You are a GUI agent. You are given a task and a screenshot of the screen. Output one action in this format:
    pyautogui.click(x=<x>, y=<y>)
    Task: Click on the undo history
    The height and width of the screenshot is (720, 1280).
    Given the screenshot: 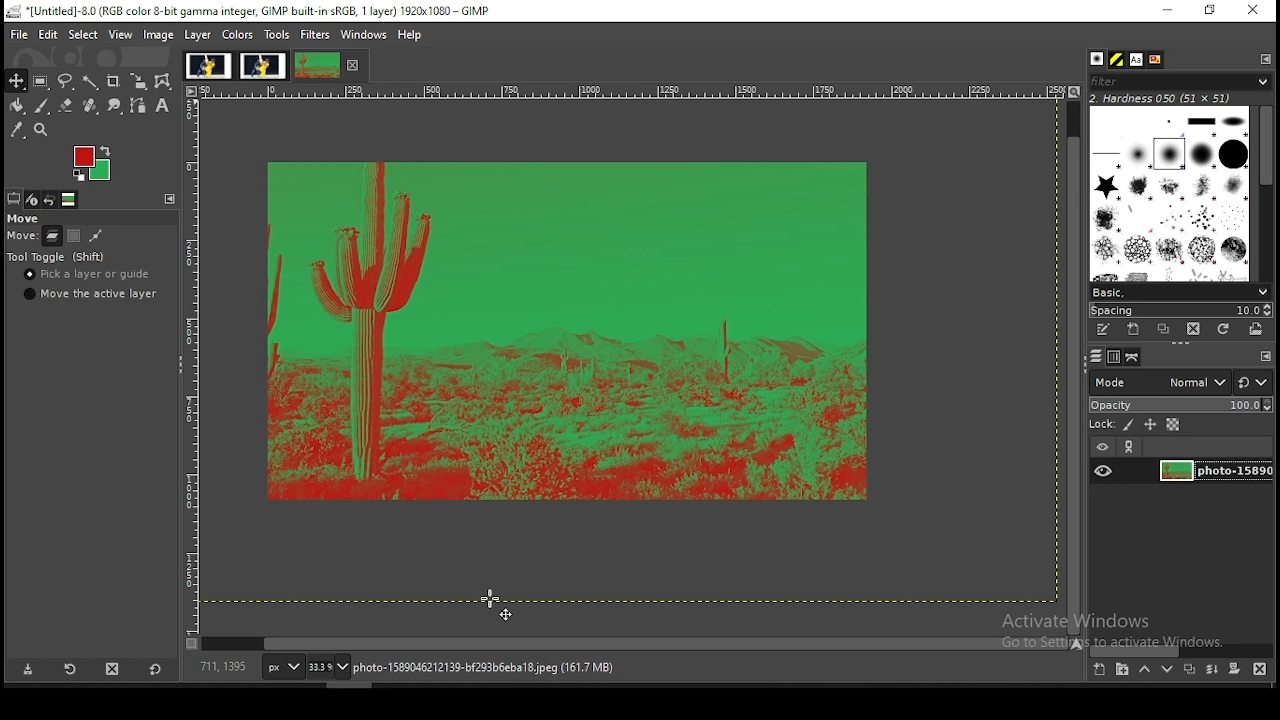 What is the action you would take?
    pyautogui.click(x=52, y=200)
    